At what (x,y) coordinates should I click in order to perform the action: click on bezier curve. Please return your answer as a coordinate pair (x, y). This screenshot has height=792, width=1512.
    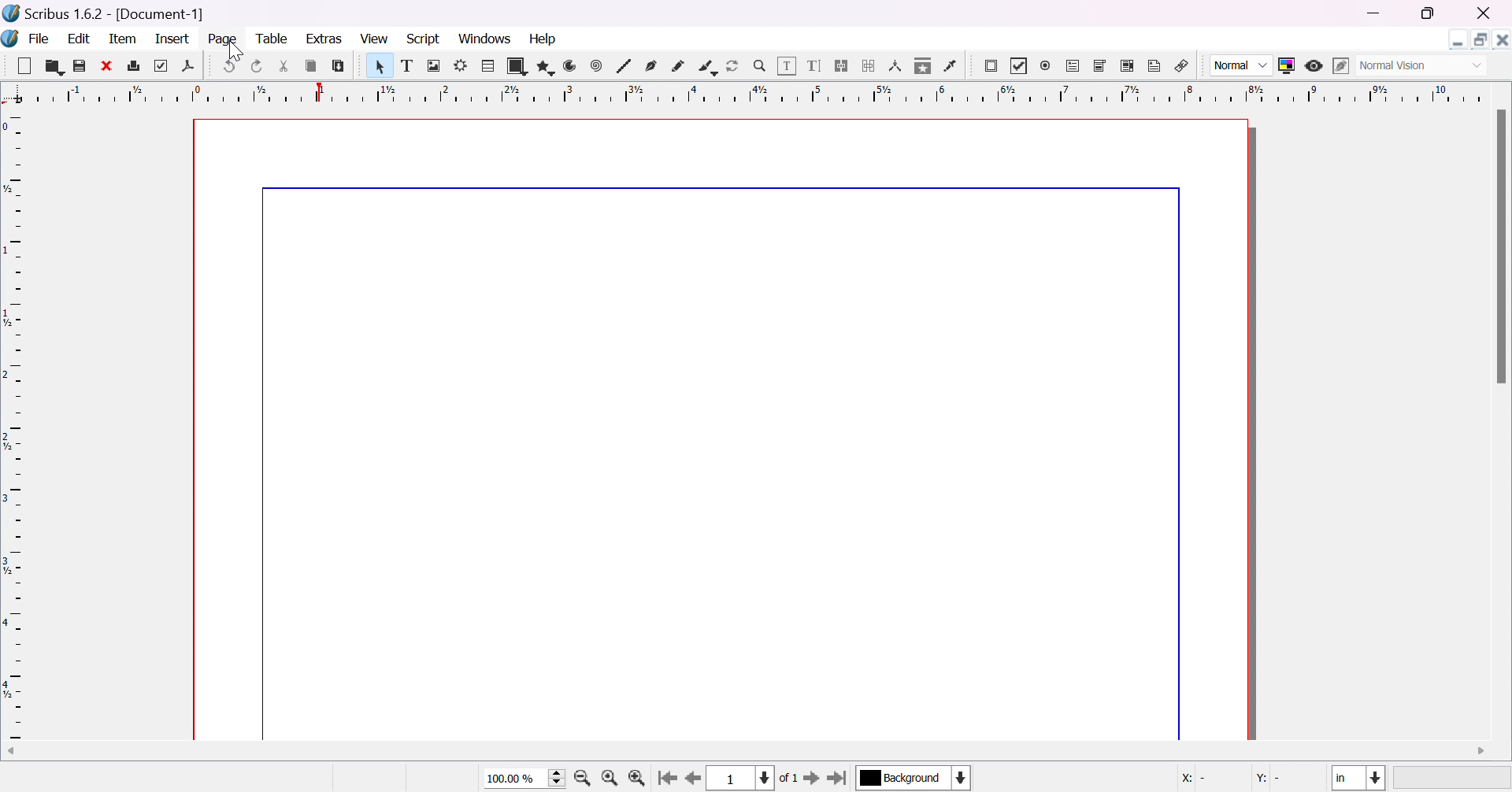
    Looking at the image, I should click on (652, 67).